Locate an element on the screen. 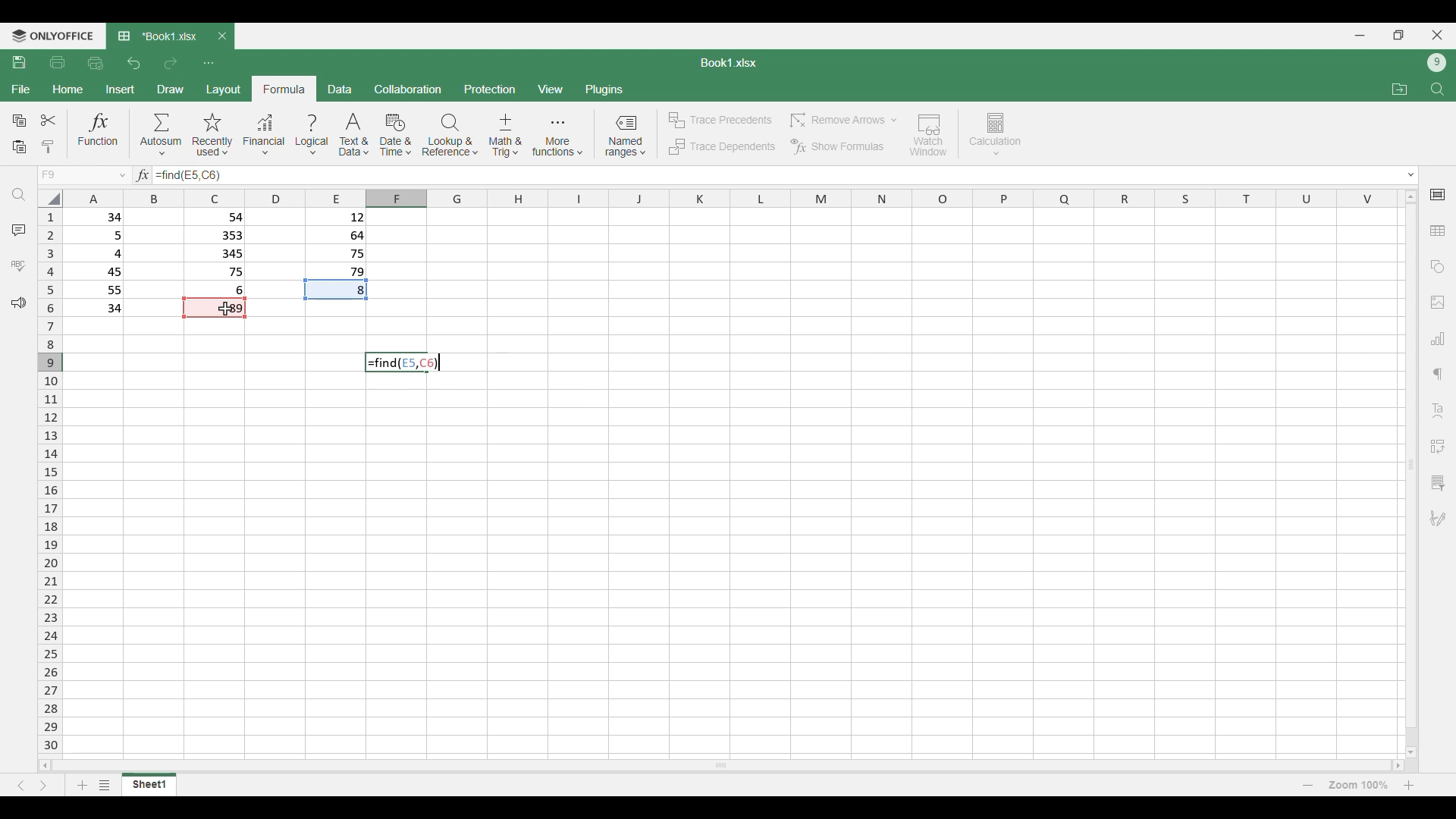  Add digital signature or signature line is located at coordinates (1438, 519).